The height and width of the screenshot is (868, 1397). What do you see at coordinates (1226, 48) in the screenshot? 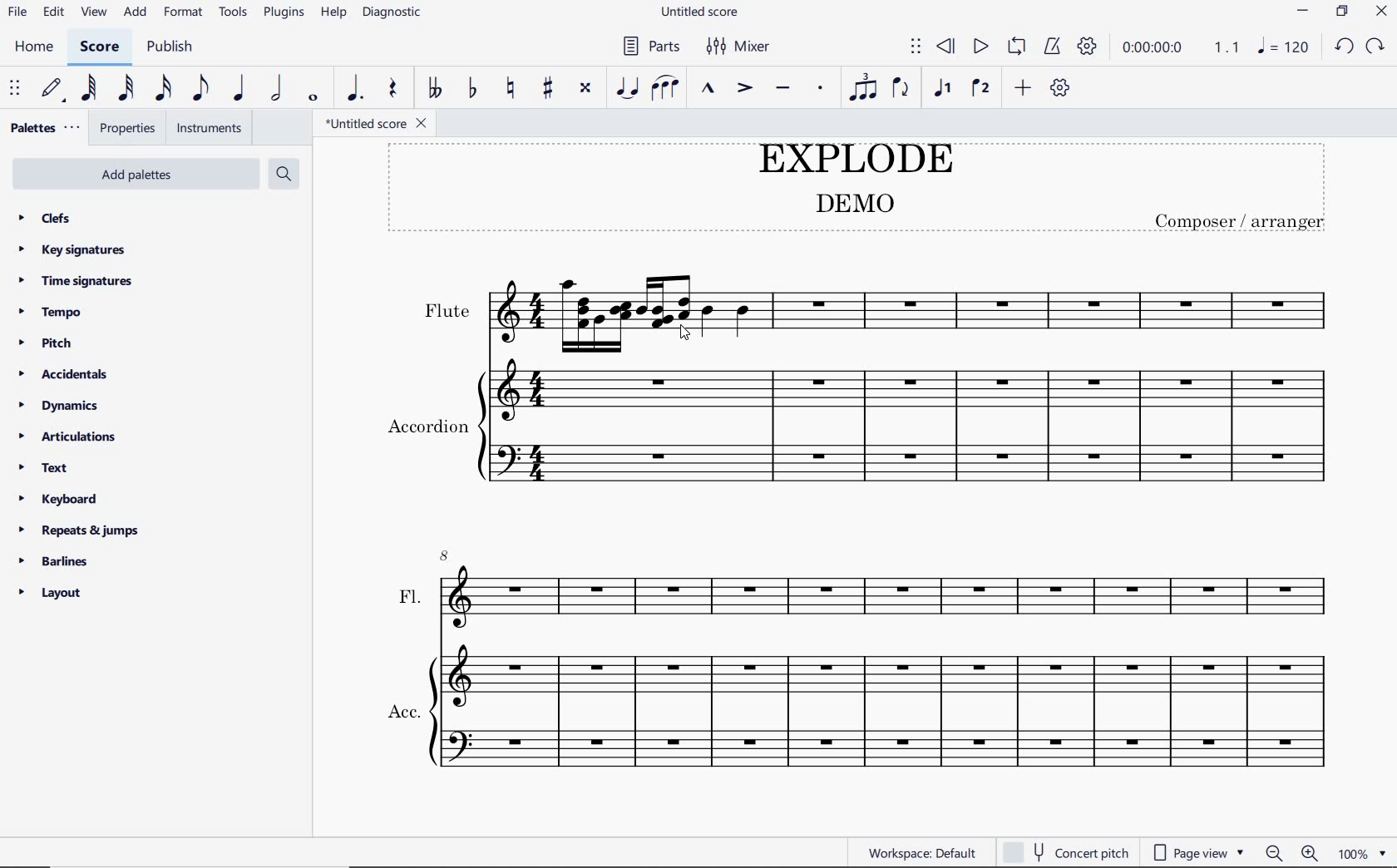
I see `Playback speed` at bounding box center [1226, 48].